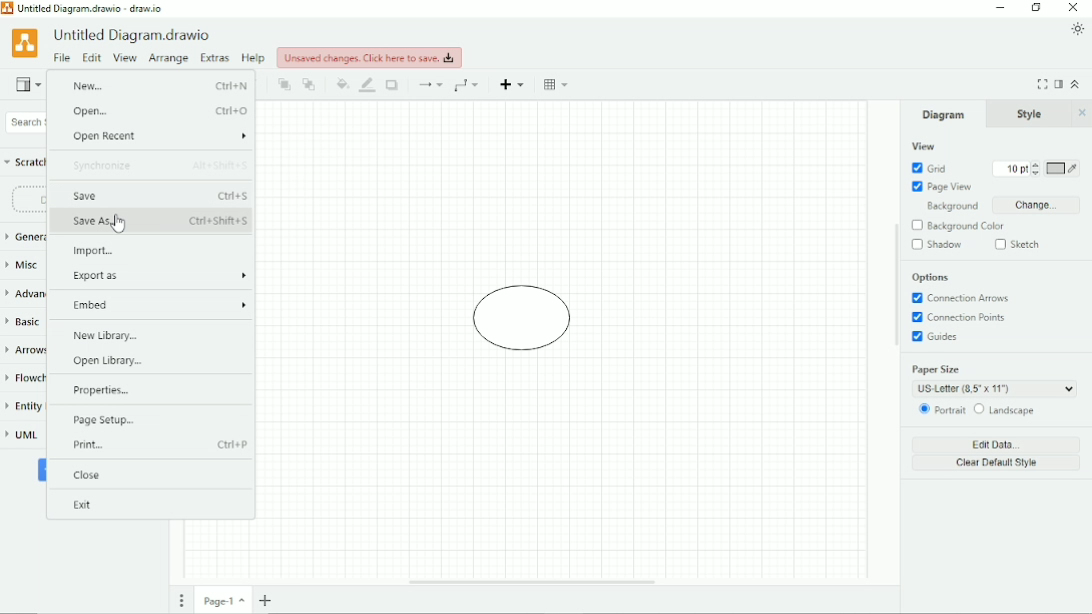  What do you see at coordinates (86, 506) in the screenshot?
I see `Exit` at bounding box center [86, 506].